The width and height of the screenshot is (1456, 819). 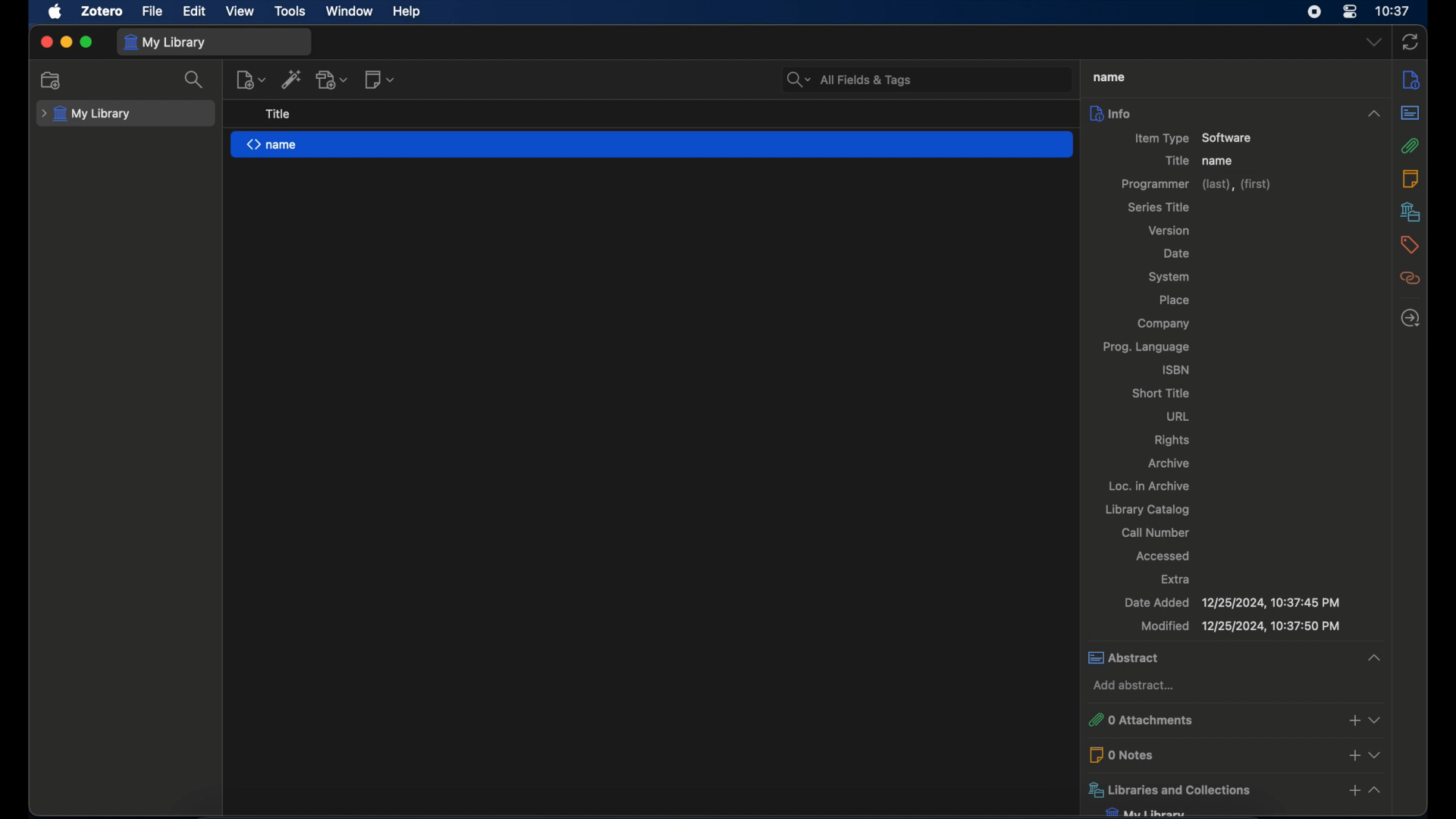 What do you see at coordinates (241, 12) in the screenshot?
I see `view` at bounding box center [241, 12].